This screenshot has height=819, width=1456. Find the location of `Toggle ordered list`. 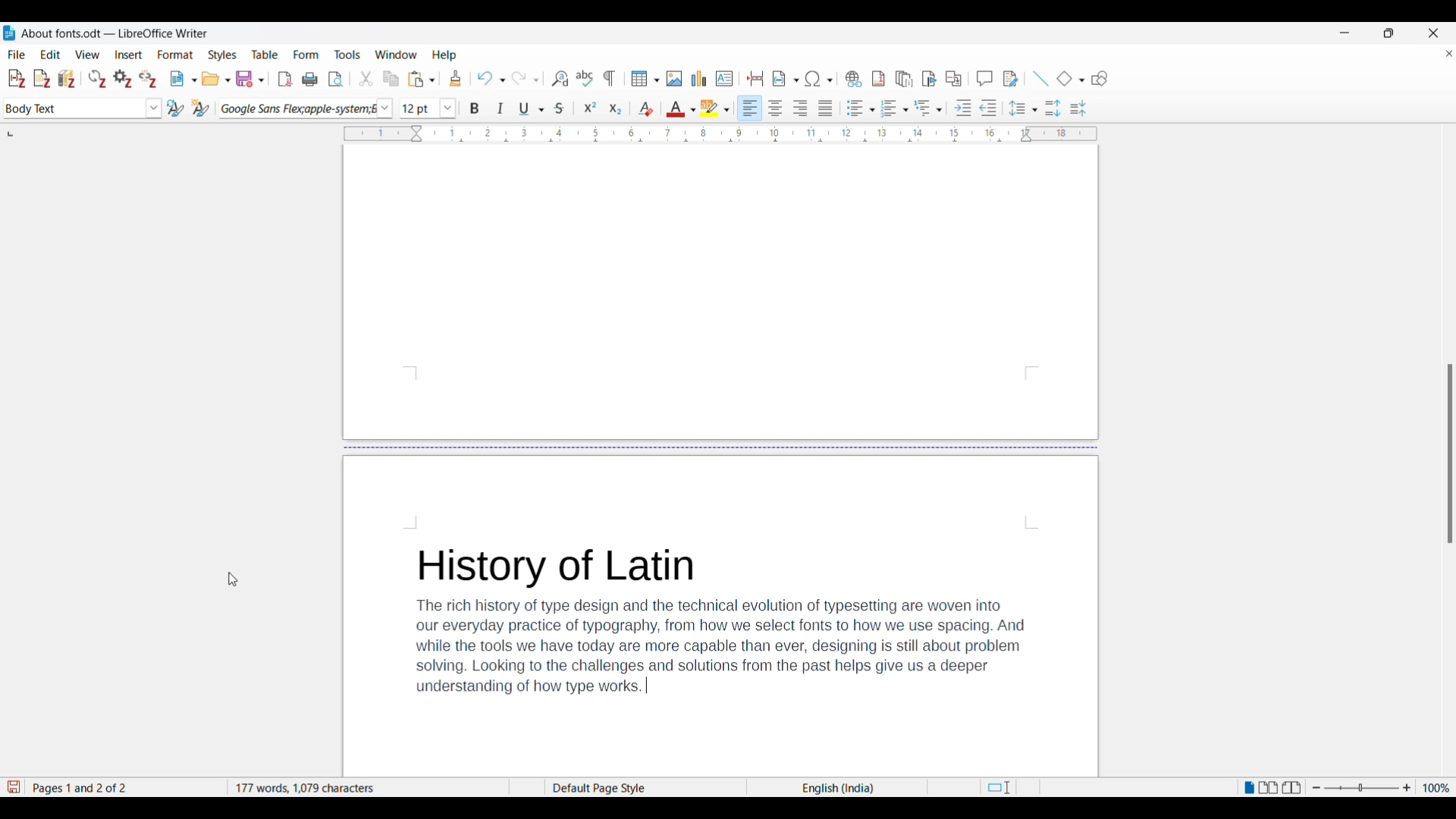

Toggle ordered list is located at coordinates (894, 108).